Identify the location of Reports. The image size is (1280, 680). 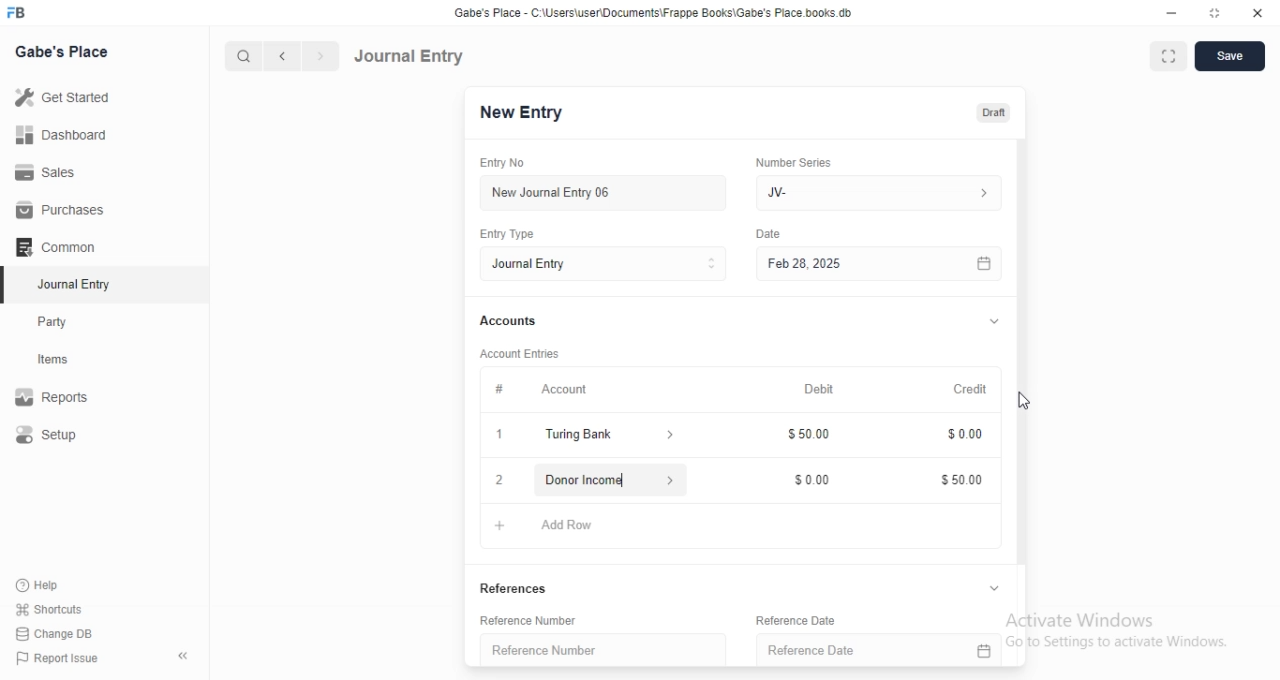
(65, 399).